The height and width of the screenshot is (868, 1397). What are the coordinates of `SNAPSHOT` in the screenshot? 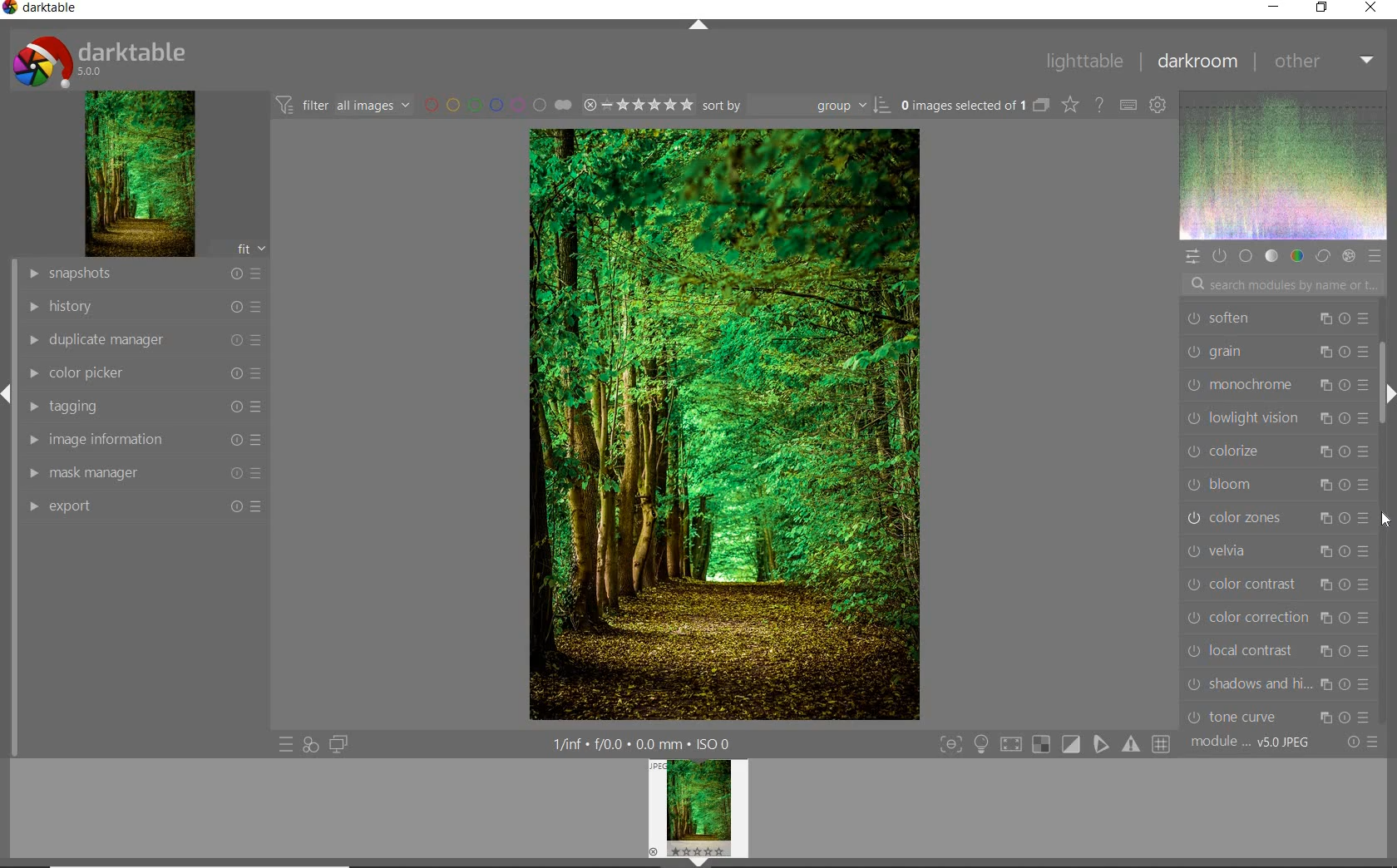 It's located at (144, 273).